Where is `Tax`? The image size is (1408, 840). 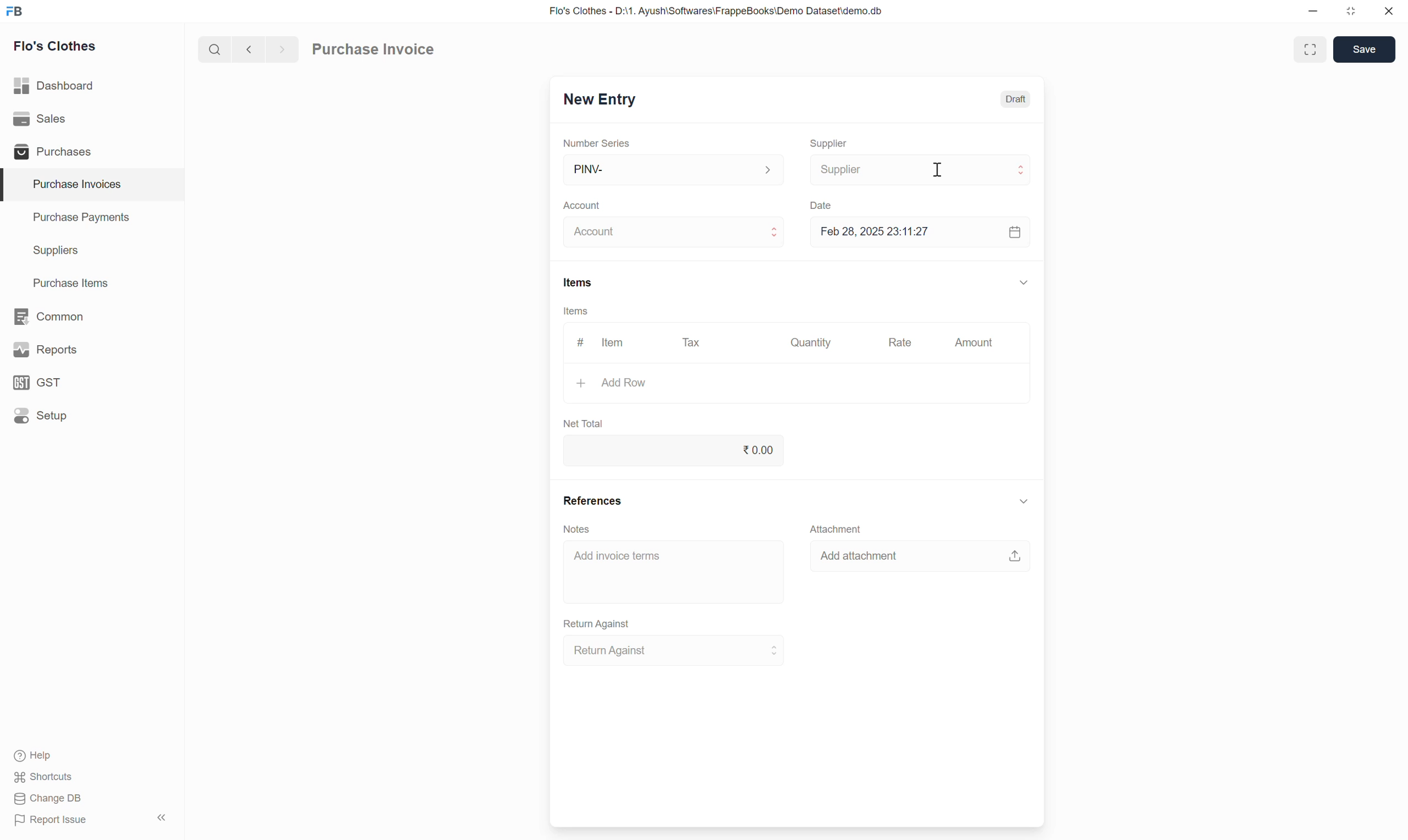 Tax is located at coordinates (692, 342).